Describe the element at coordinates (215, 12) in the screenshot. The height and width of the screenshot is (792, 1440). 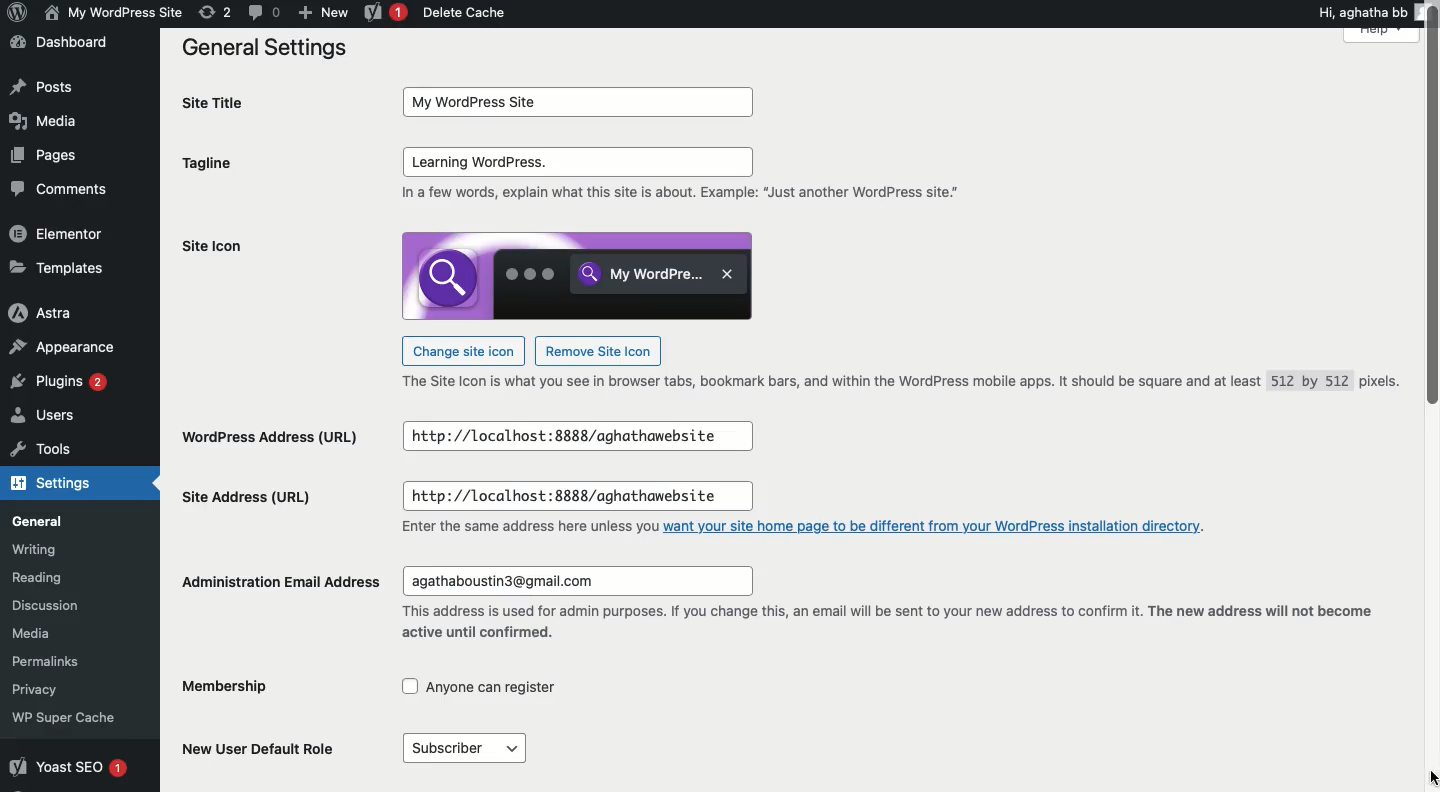
I see `Revisions (2)` at that location.